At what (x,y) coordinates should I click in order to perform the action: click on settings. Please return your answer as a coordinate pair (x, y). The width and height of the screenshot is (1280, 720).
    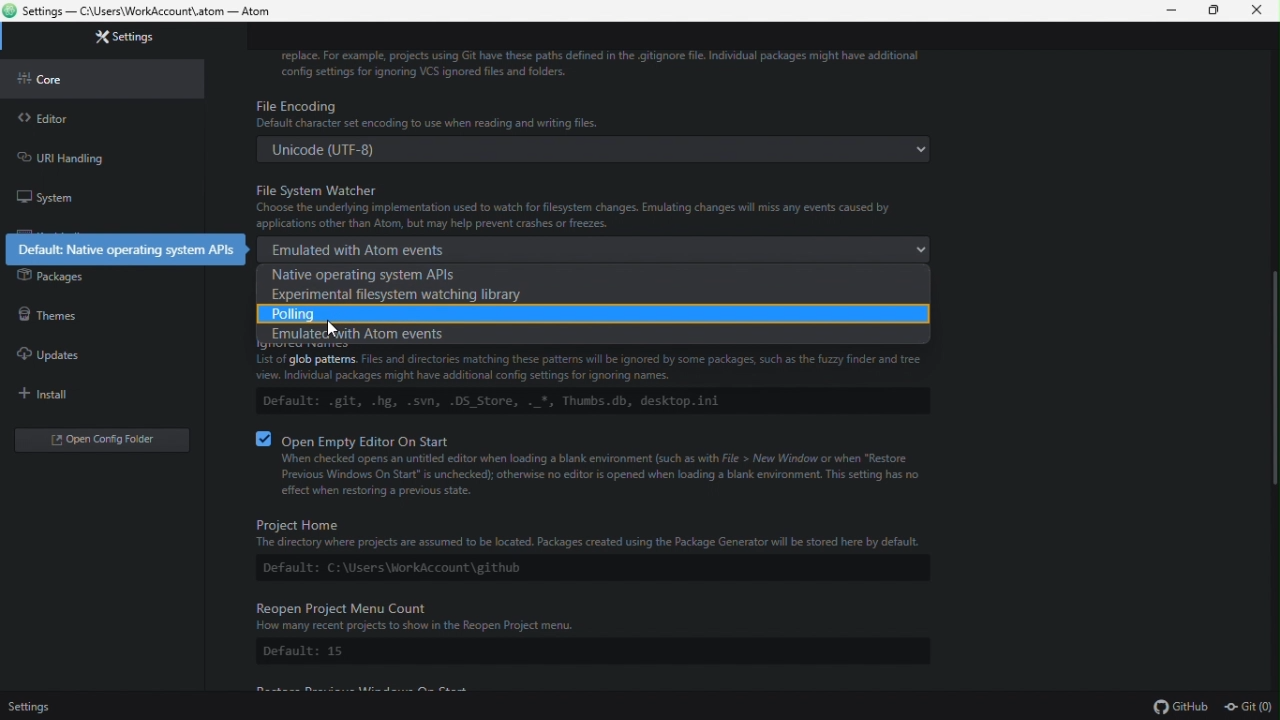
    Looking at the image, I should click on (123, 39).